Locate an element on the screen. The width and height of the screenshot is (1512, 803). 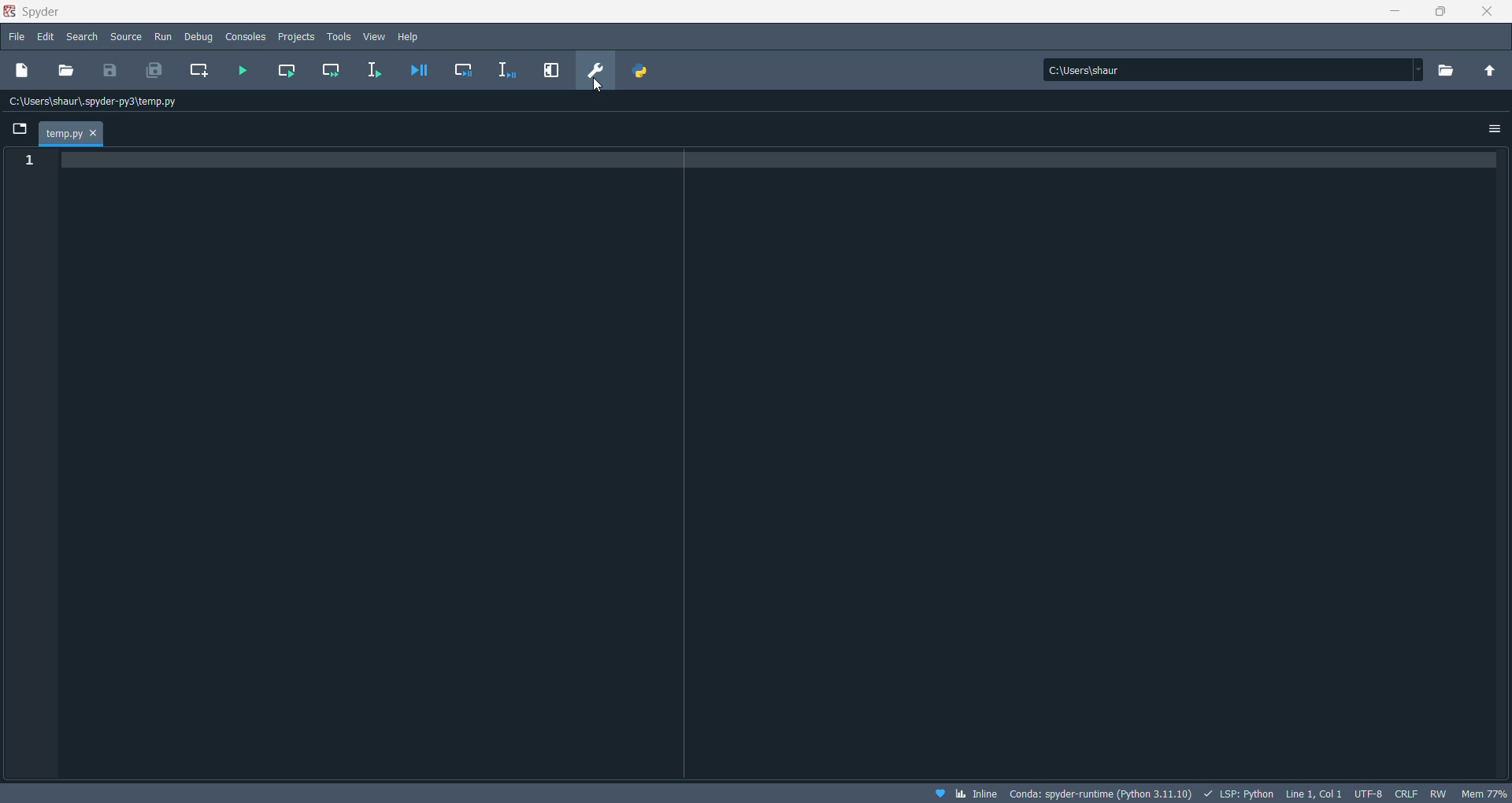
run current cell is located at coordinates (290, 72).